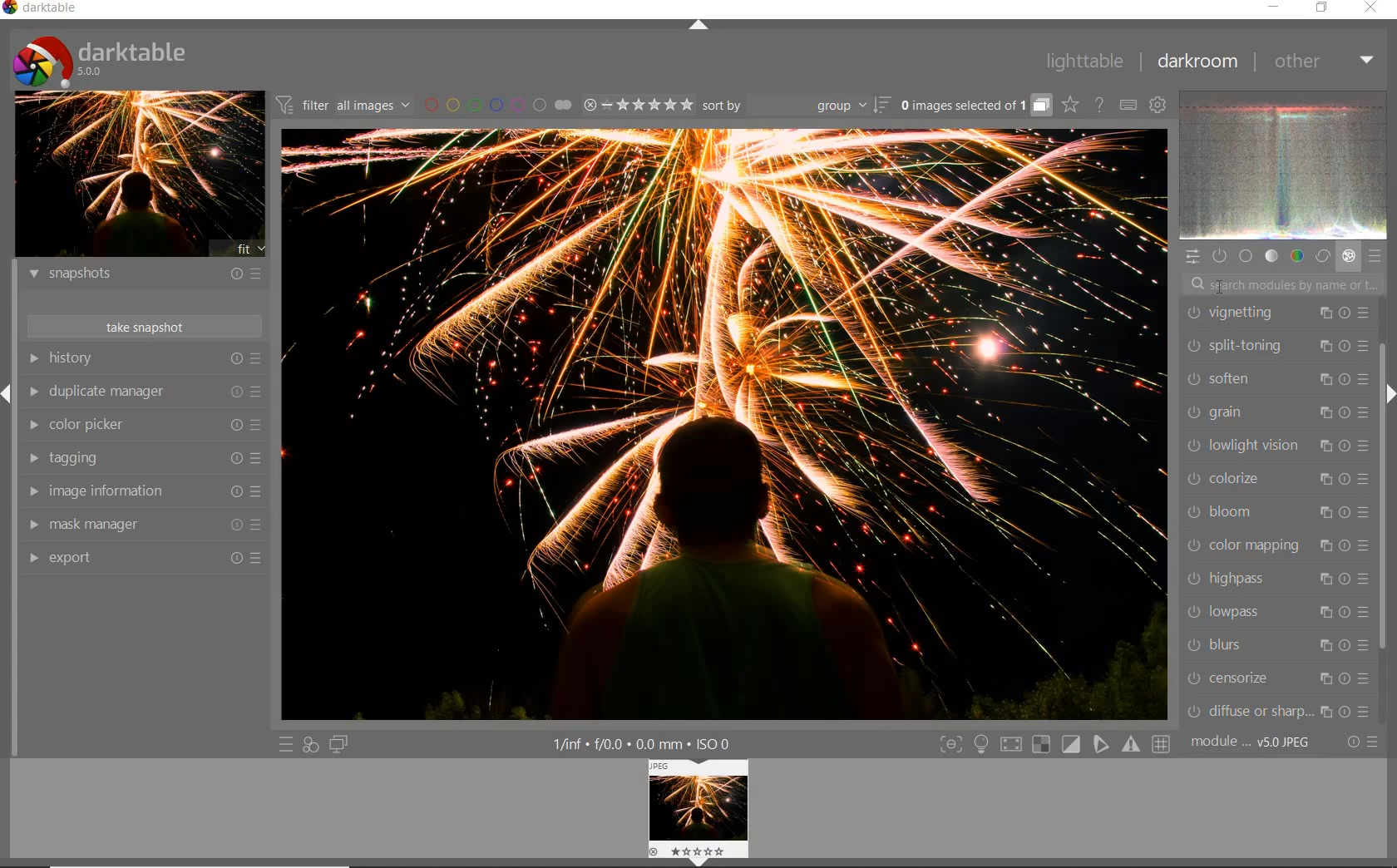 The width and height of the screenshot is (1397, 868). I want to click on diffuse or sharpen, so click(1277, 711).